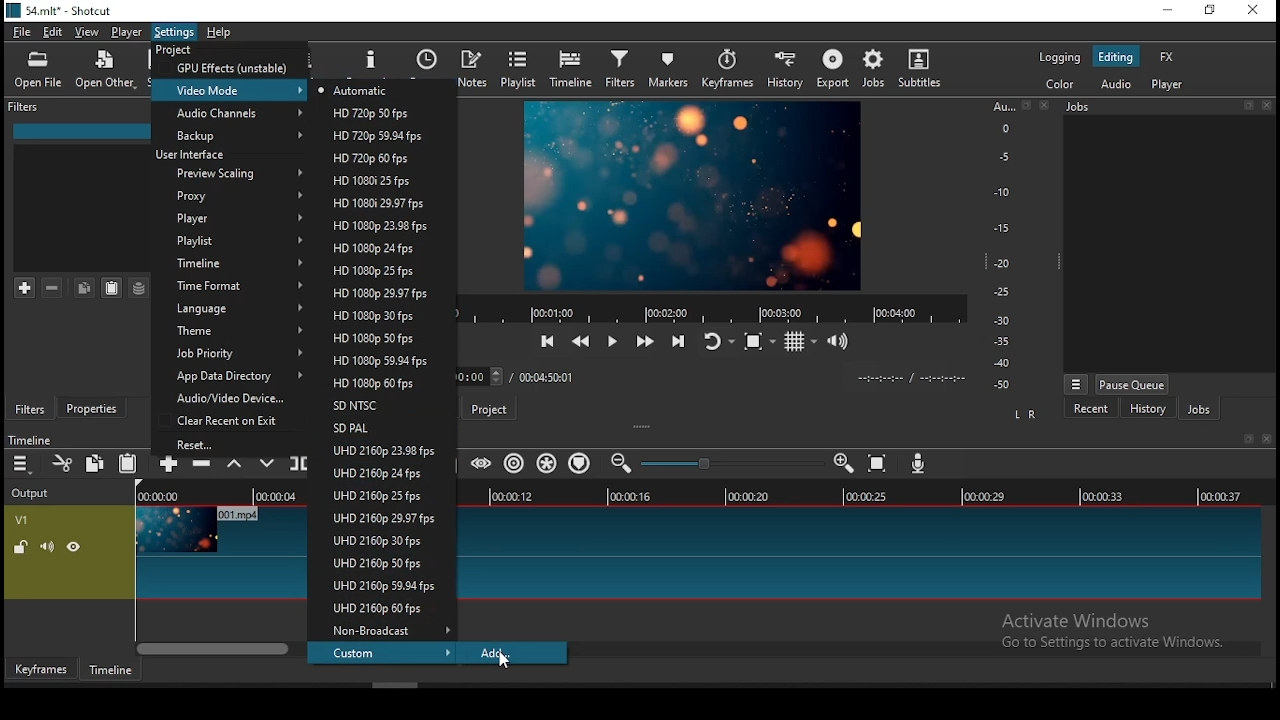  Describe the element at coordinates (380, 270) in the screenshot. I see `resolution option` at that location.